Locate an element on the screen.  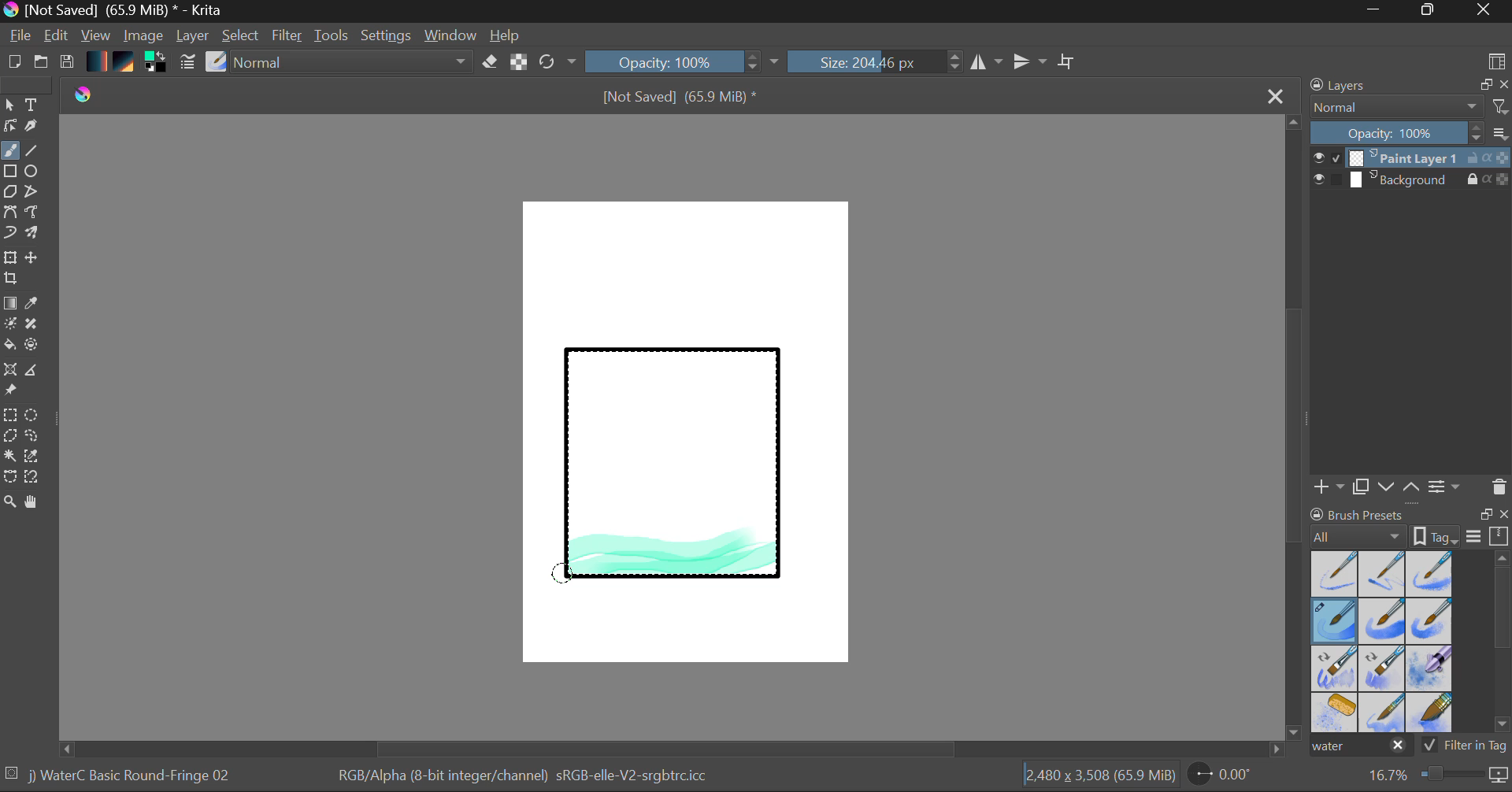
Enclose and Fill is located at coordinates (35, 346).